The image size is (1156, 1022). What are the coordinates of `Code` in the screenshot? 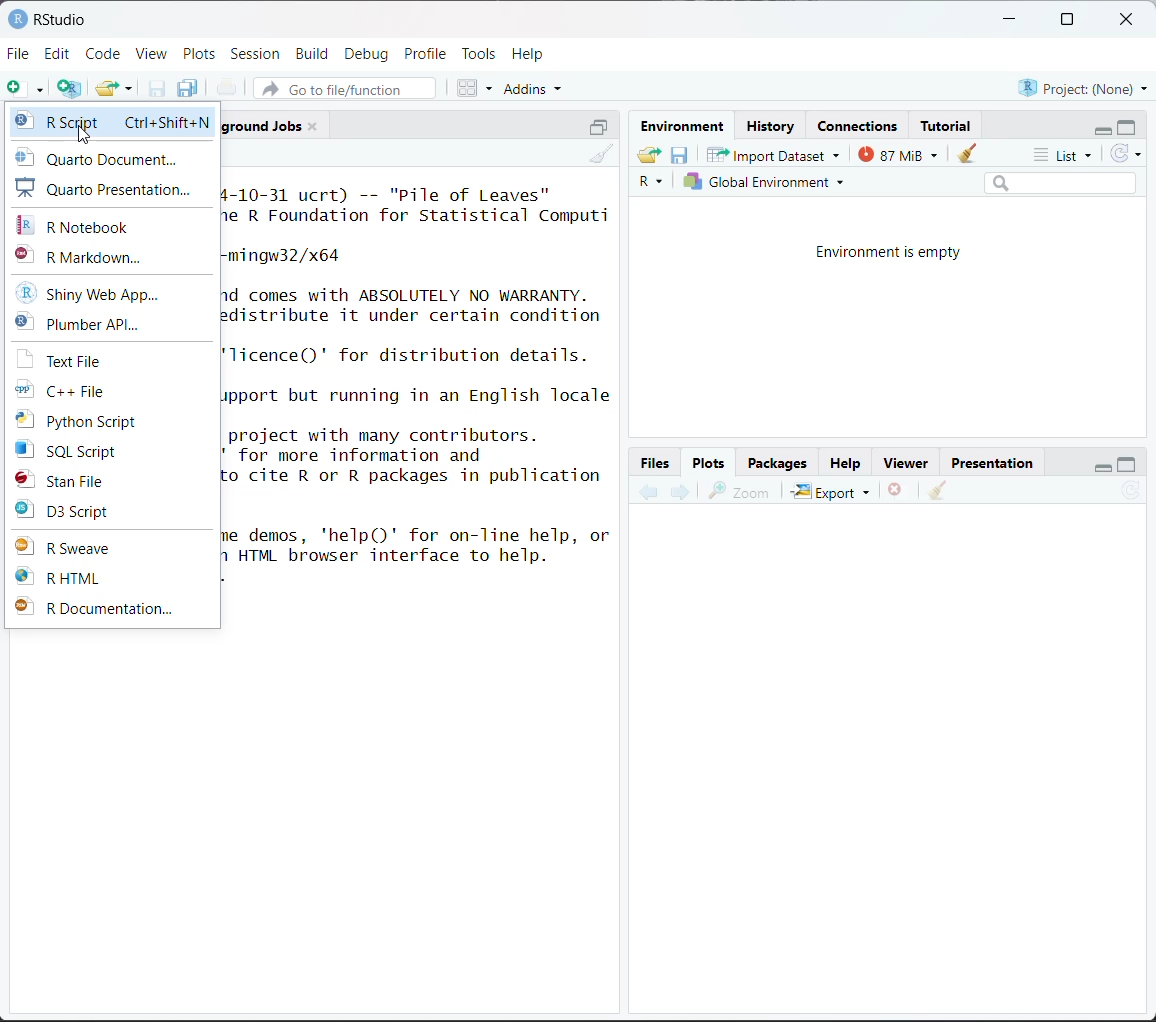 It's located at (105, 52).